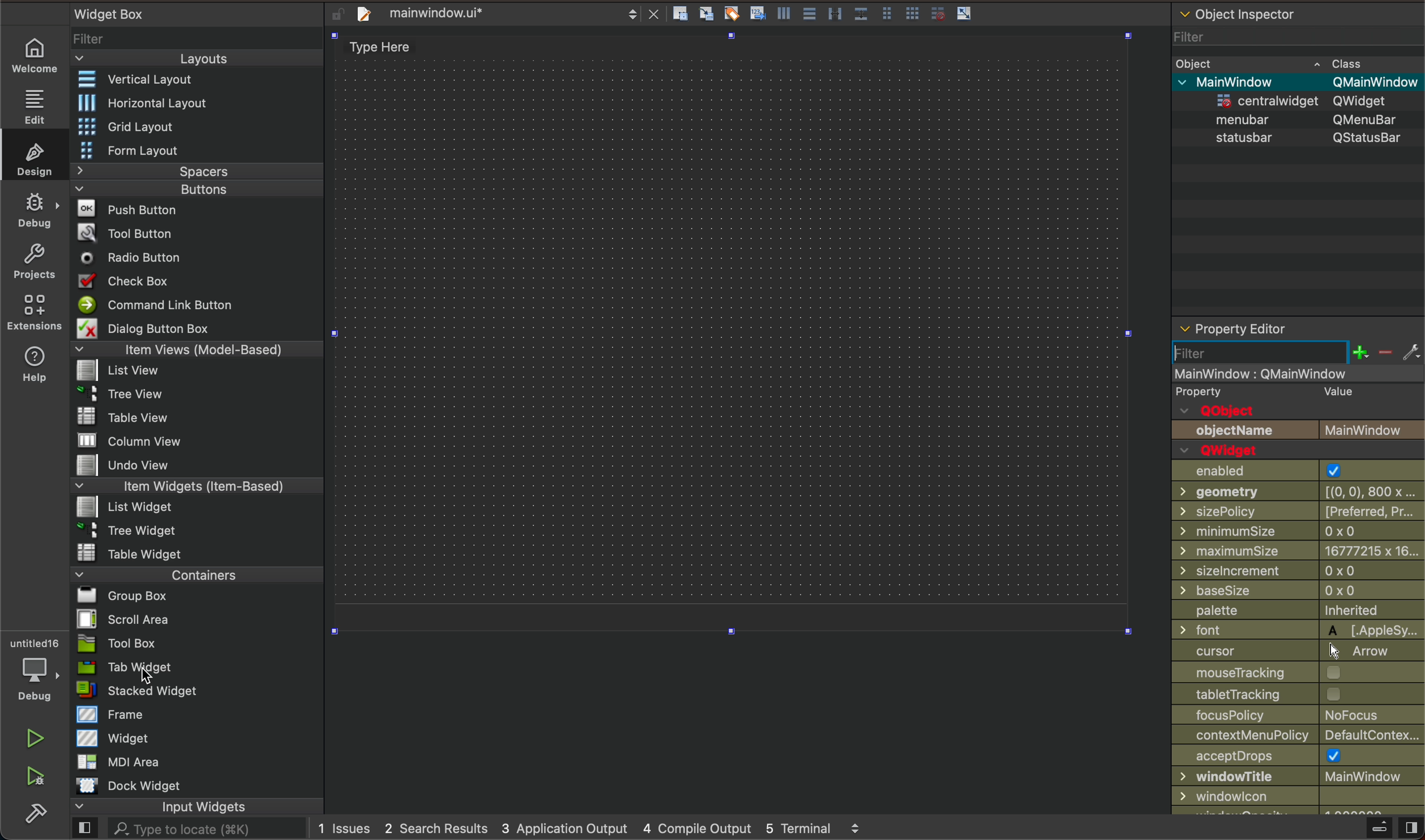 The image size is (1425, 840). What do you see at coordinates (37, 310) in the screenshot?
I see `extensions` at bounding box center [37, 310].